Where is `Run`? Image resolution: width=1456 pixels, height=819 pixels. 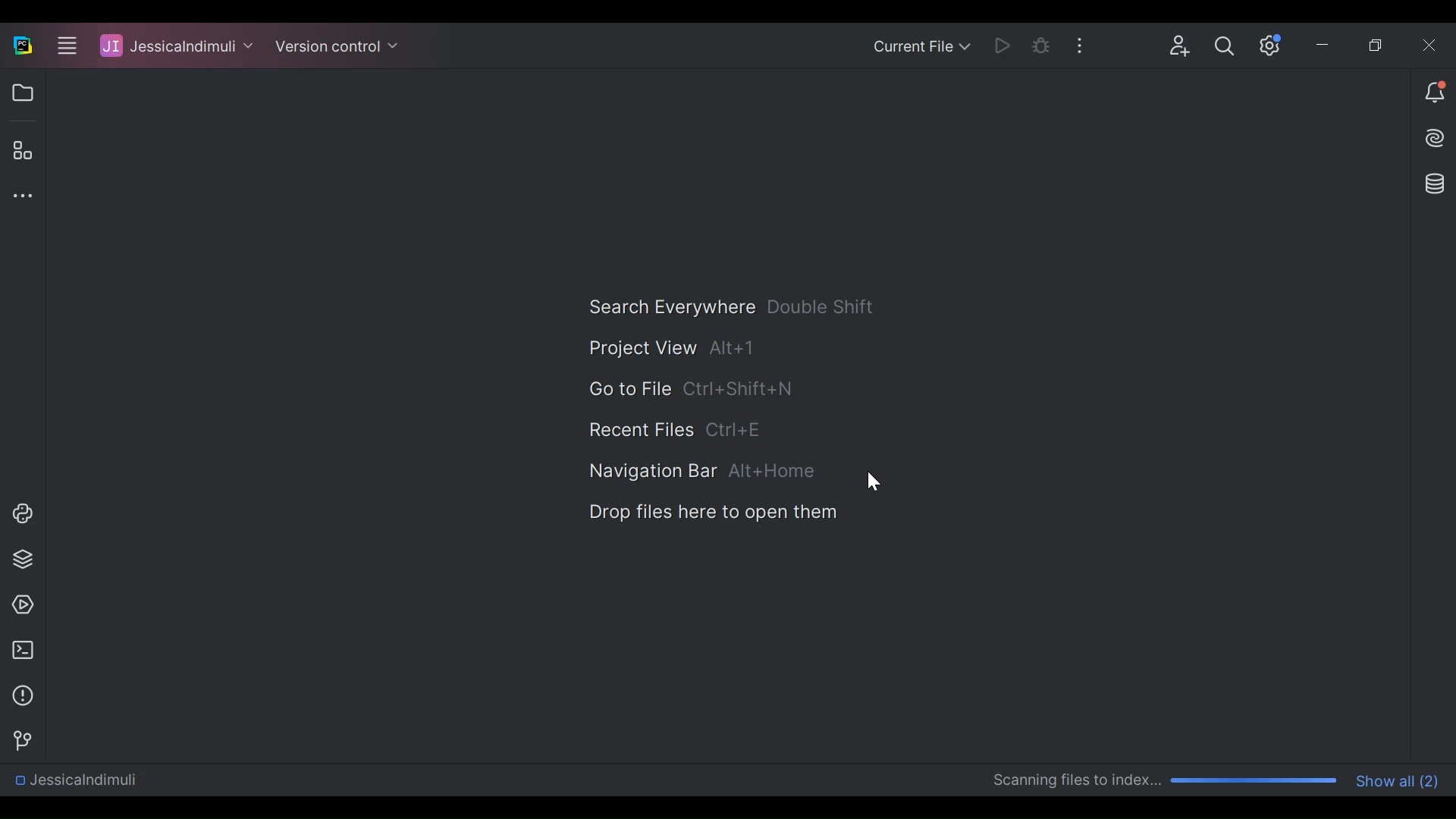
Run is located at coordinates (1001, 44).